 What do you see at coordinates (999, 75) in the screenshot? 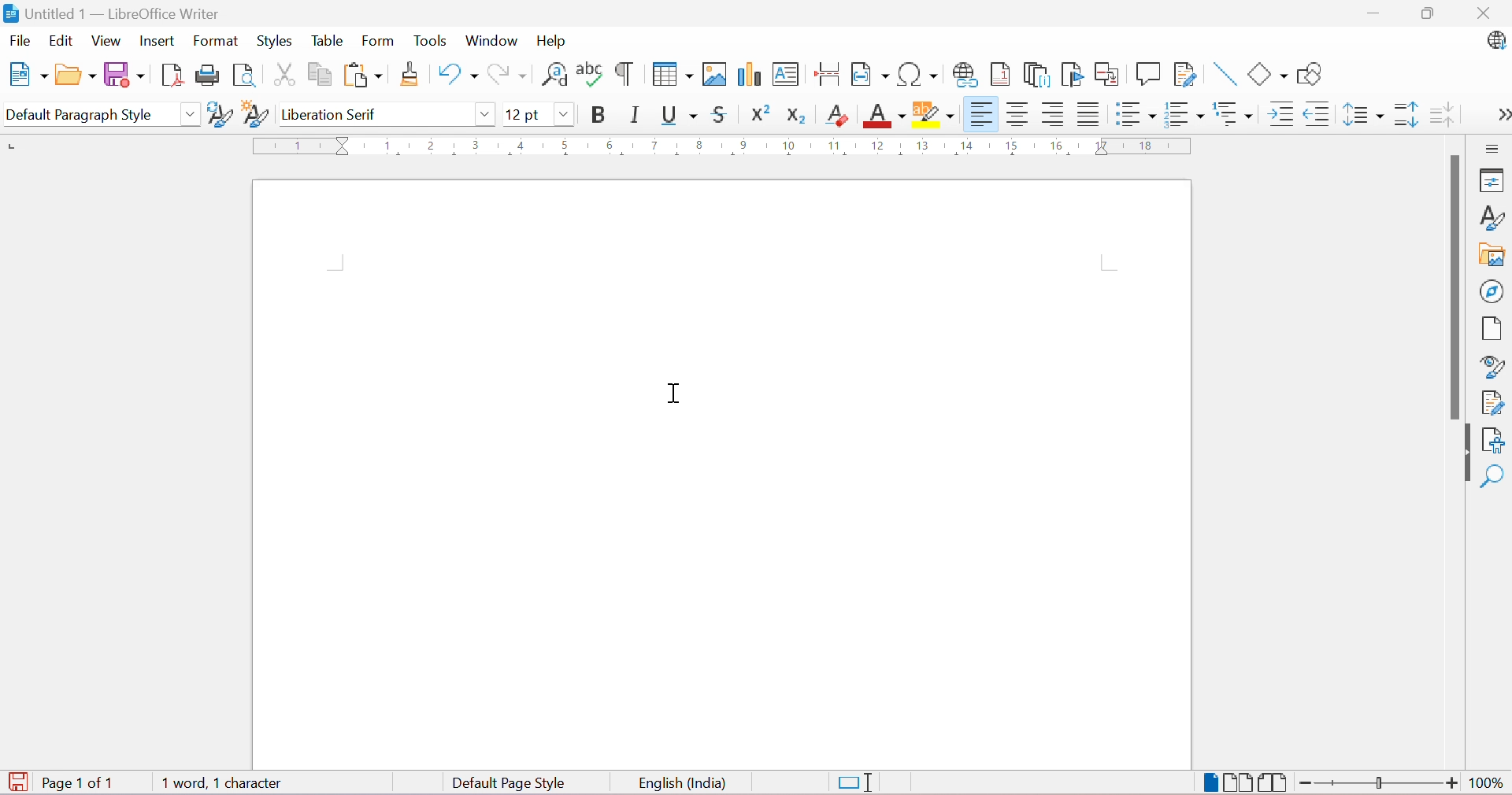
I see `Insert Footnote` at bounding box center [999, 75].